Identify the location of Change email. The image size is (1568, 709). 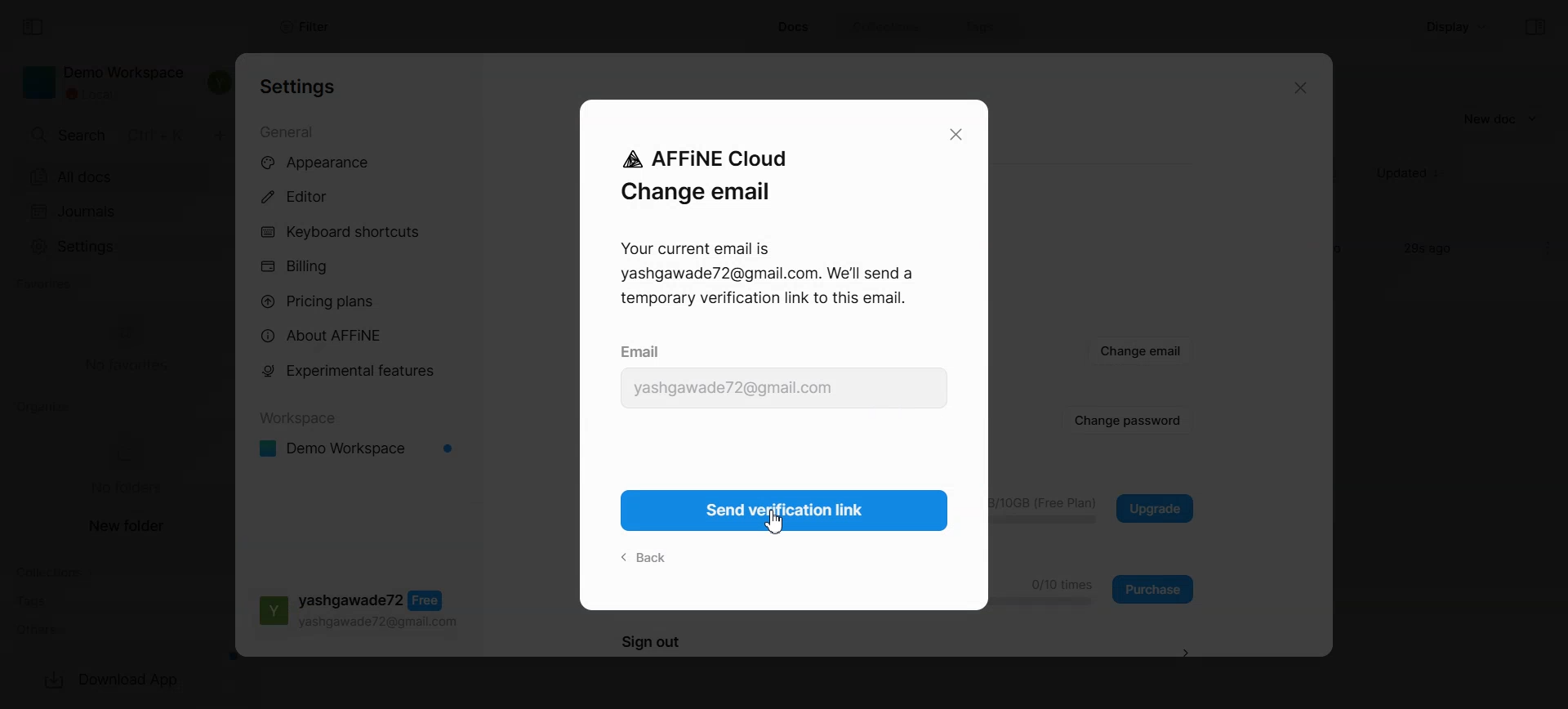
(1142, 351).